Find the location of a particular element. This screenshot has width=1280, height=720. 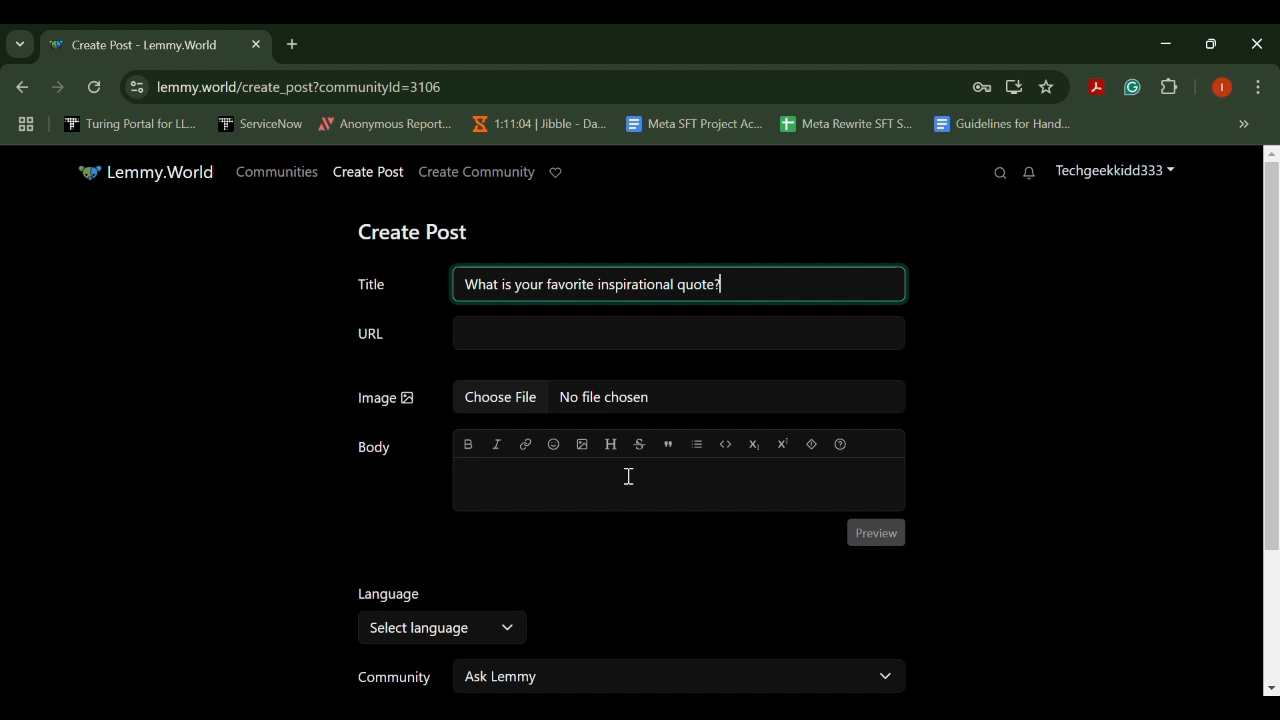

Create Community is located at coordinates (475, 172).